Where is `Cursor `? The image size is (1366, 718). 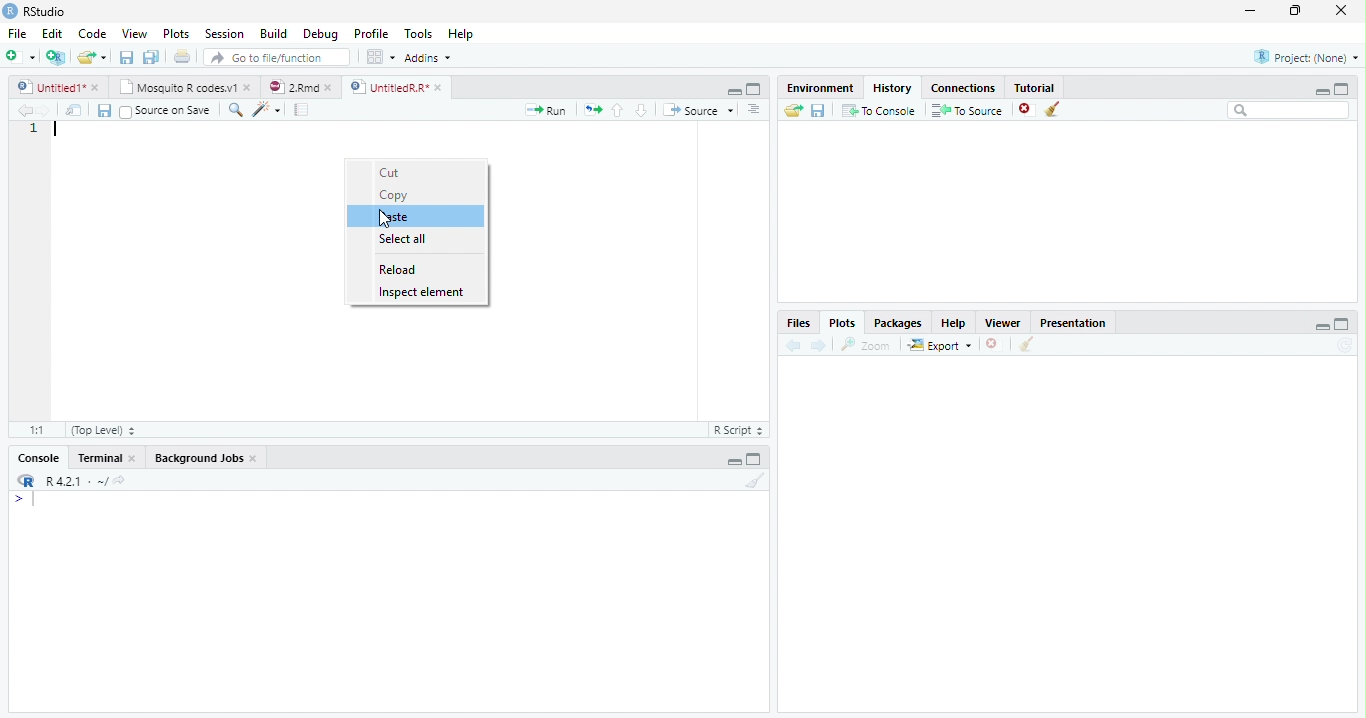 Cursor  is located at coordinates (385, 220).